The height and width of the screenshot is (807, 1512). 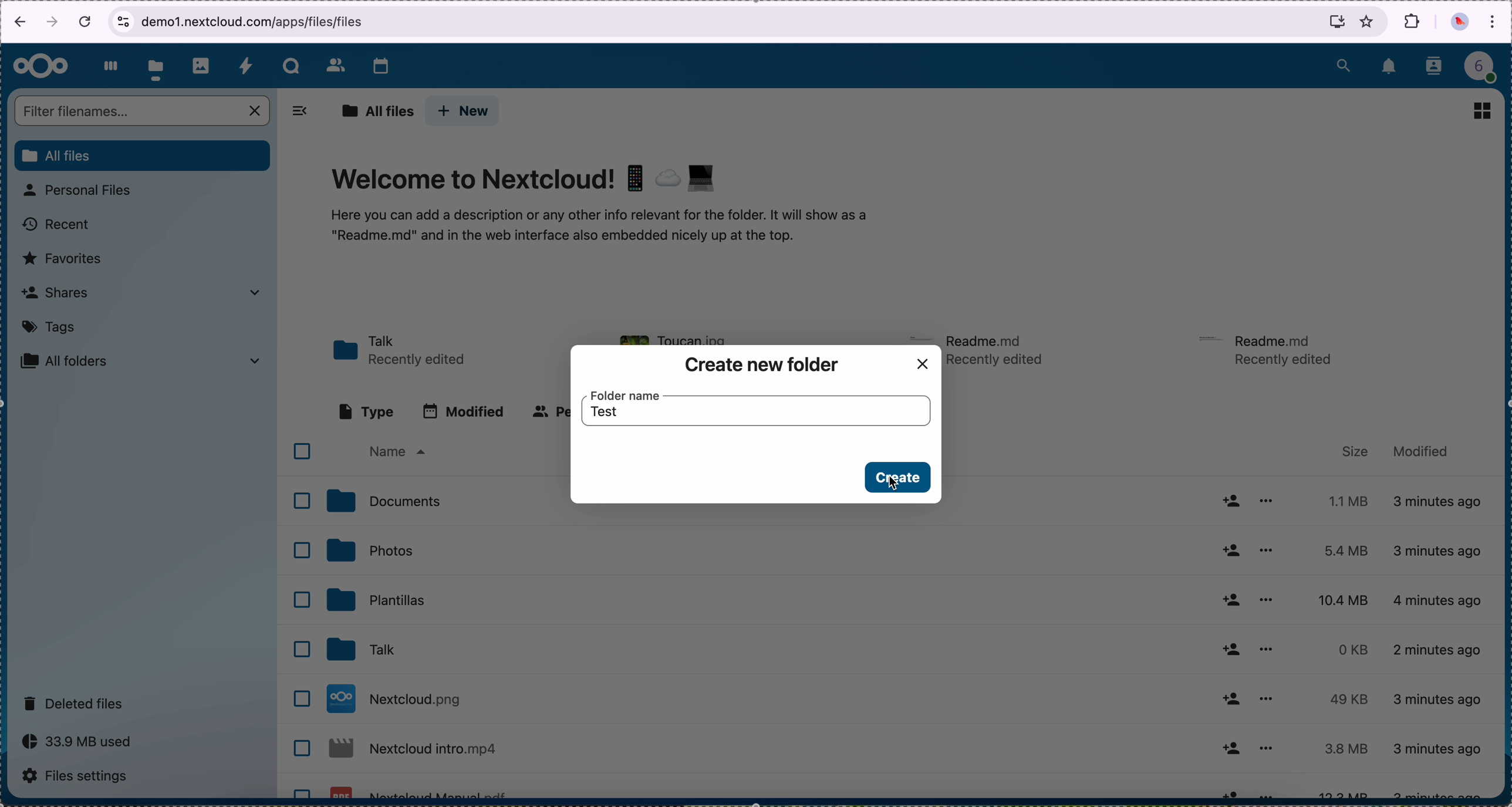 What do you see at coordinates (415, 752) in the screenshot?
I see `Nextcloud file` at bounding box center [415, 752].